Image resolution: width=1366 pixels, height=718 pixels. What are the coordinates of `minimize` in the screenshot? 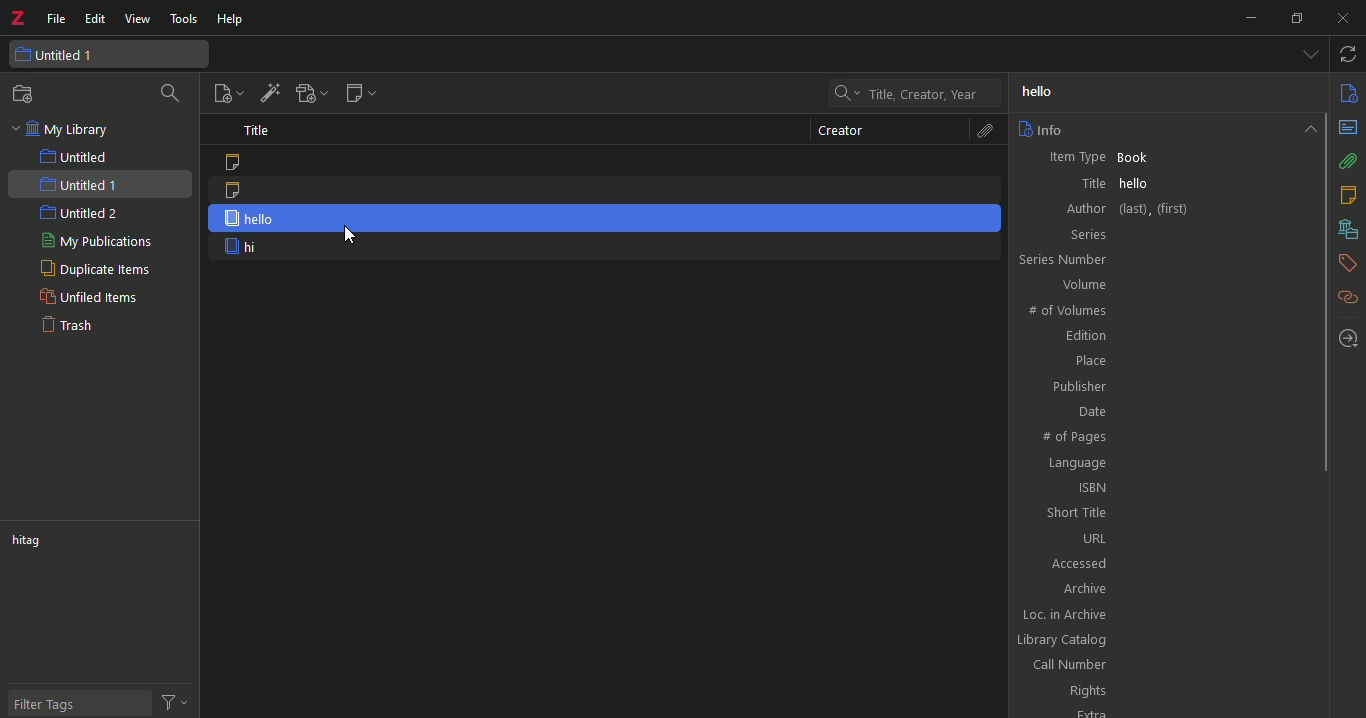 It's located at (1248, 17).